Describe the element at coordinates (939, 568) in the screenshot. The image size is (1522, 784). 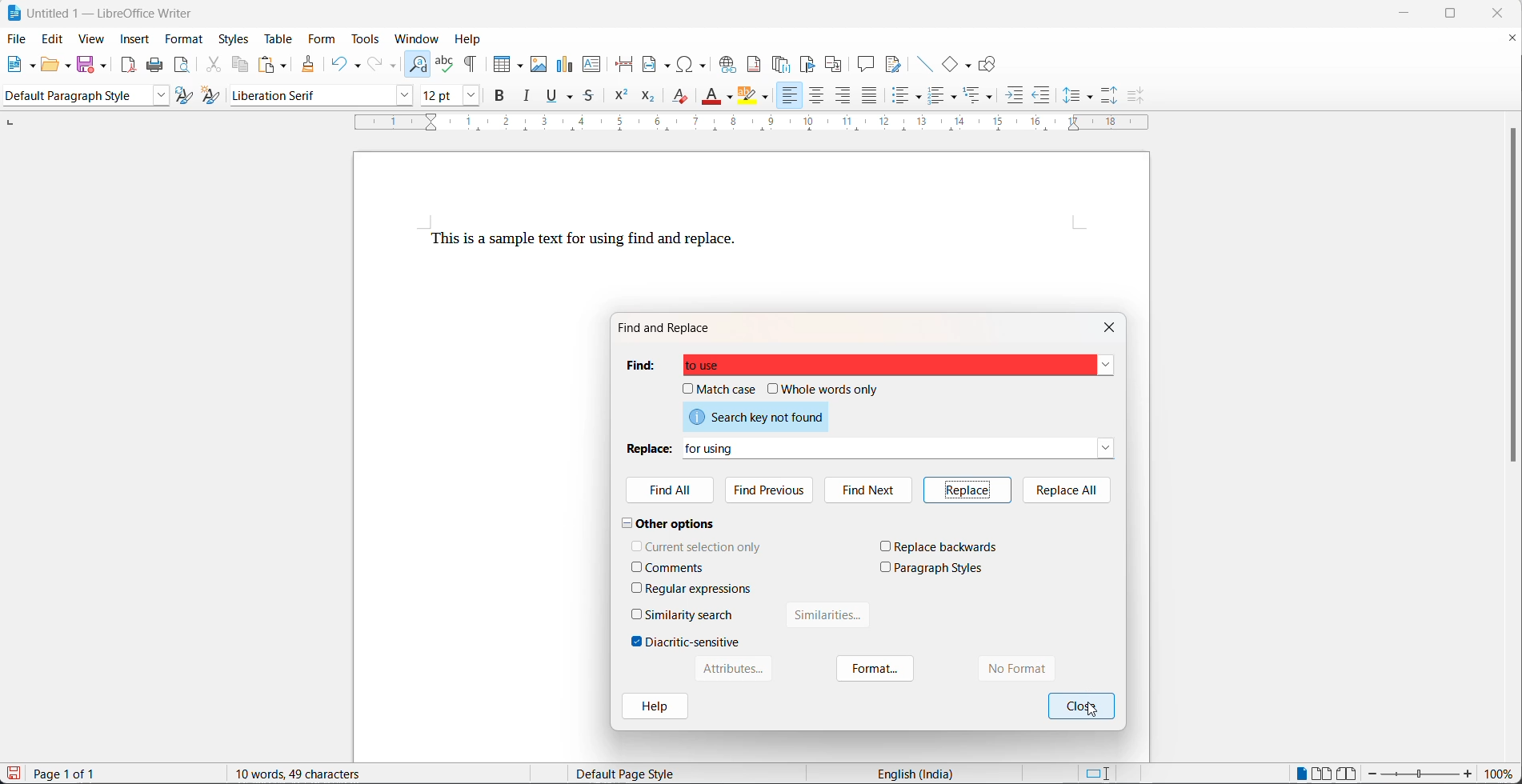
I see `paragraph styles` at that location.